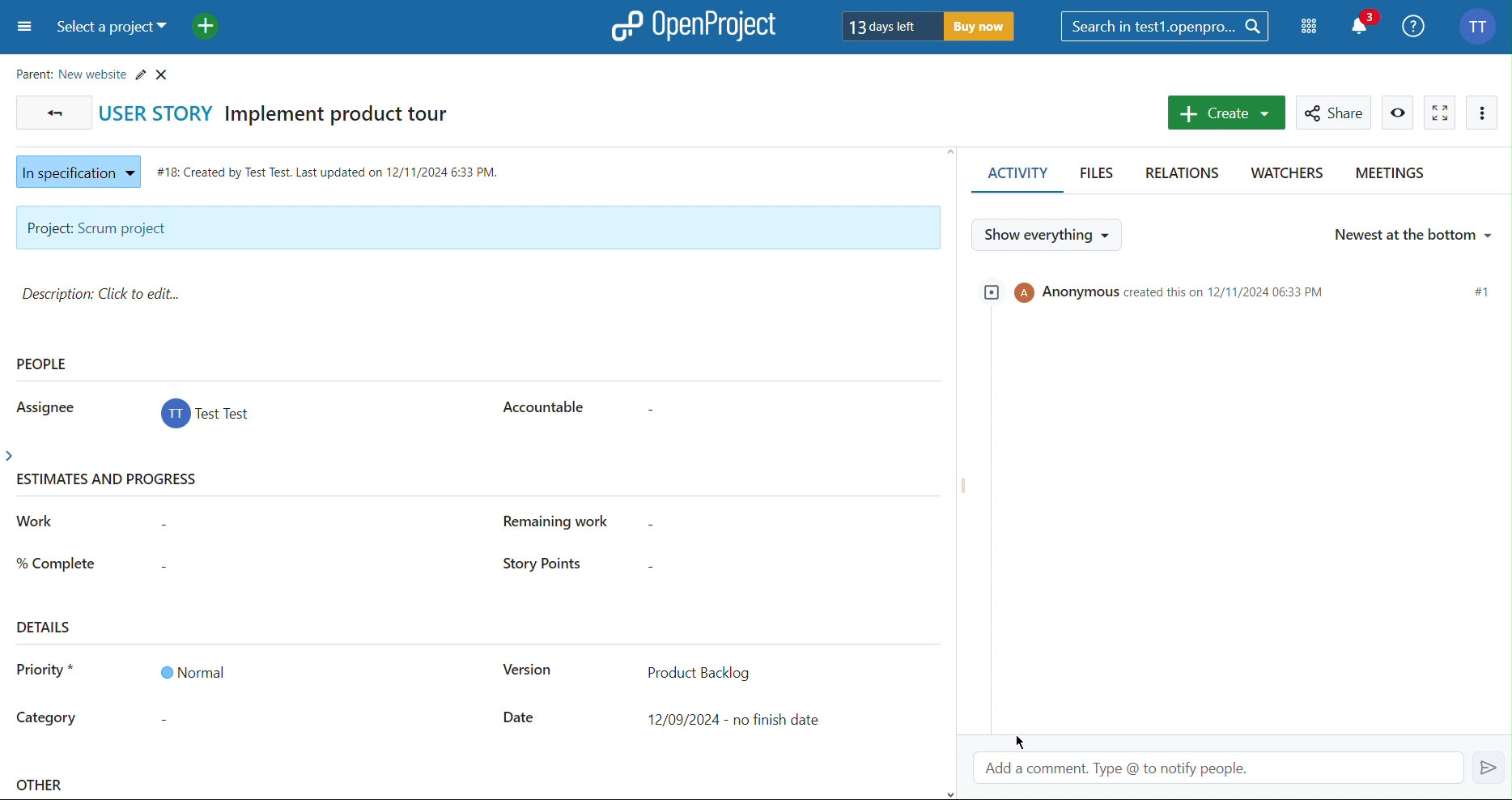 Image resolution: width=1512 pixels, height=800 pixels. What do you see at coordinates (526, 672) in the screenshot?
I see `Version` at bounding box center [526, 672].